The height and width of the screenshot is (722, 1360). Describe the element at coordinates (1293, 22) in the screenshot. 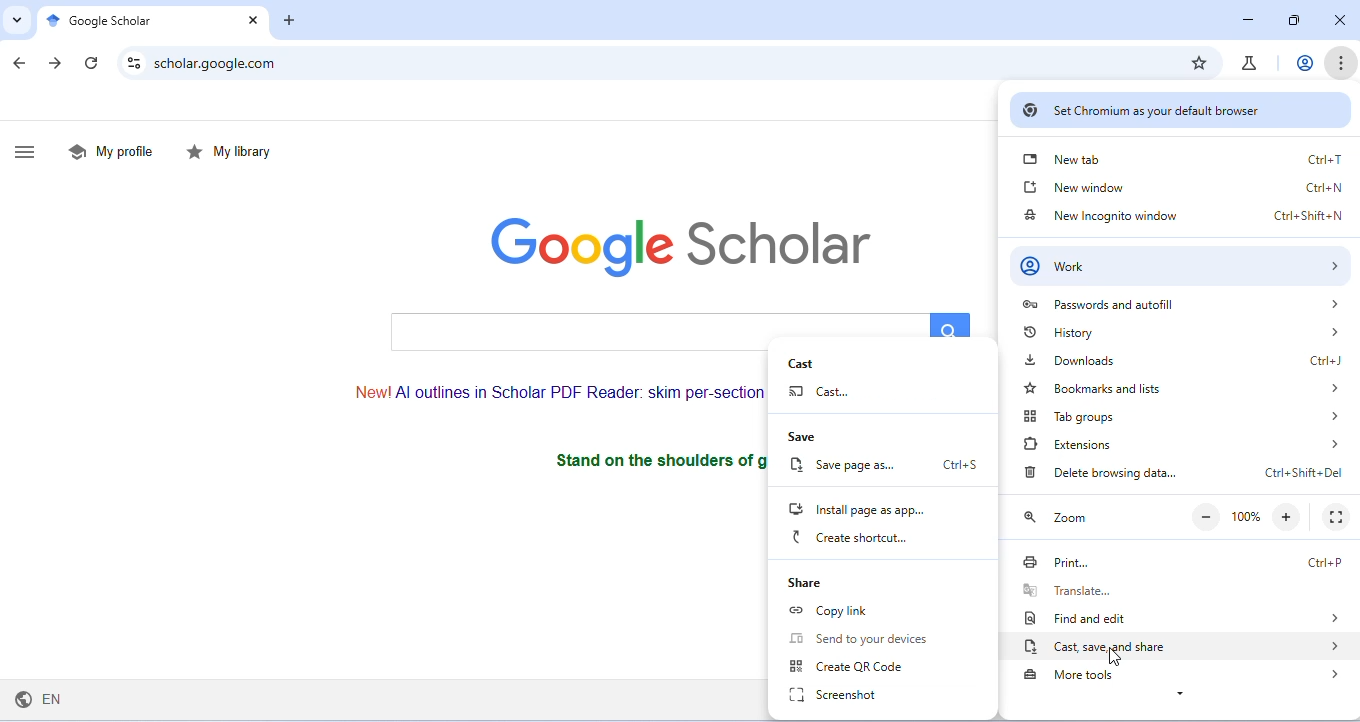

I see `maximize` at that location.